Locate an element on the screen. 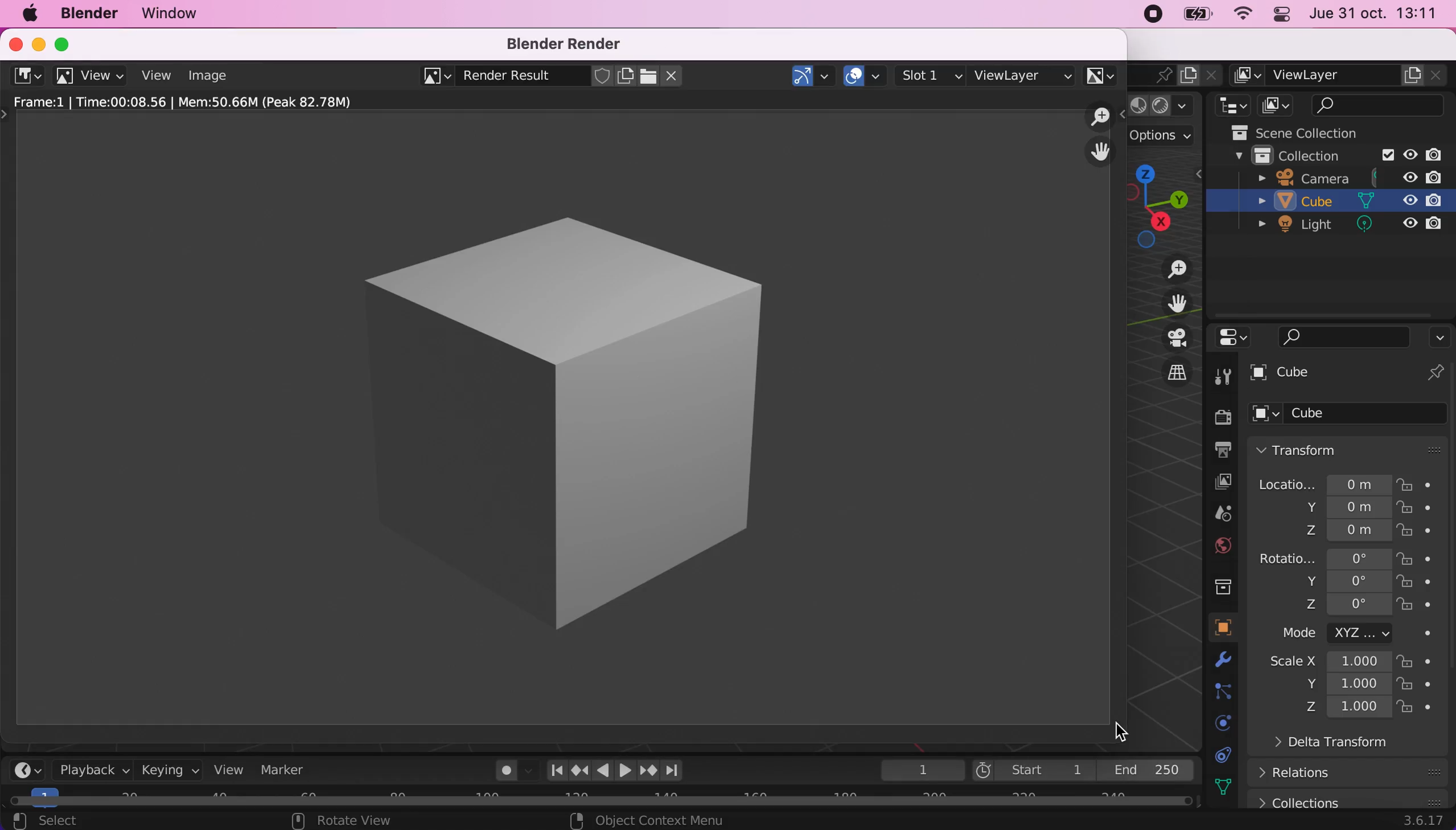 The image size is (1456, 830). transform  is located at coordinates (1352, 449).